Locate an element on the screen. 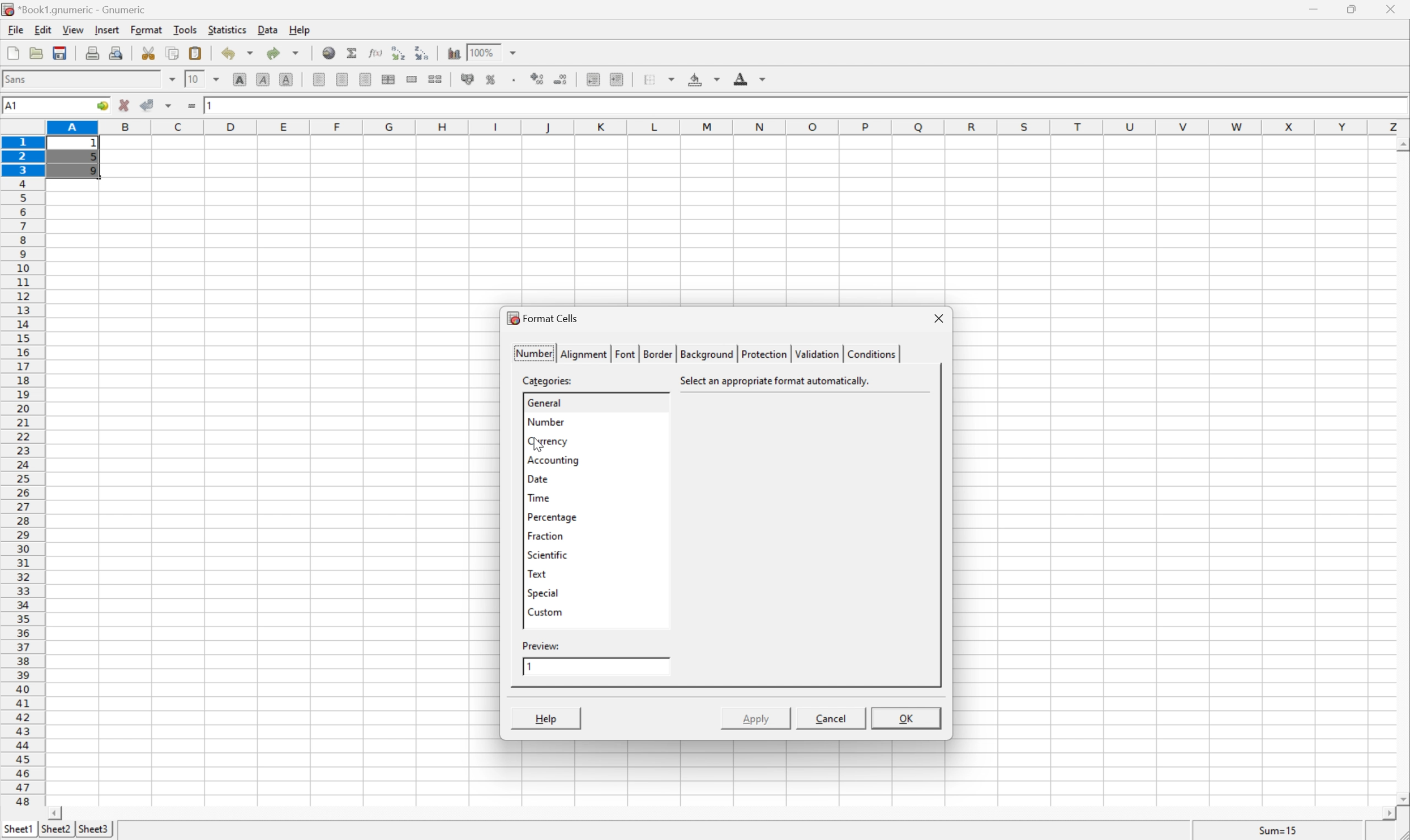 The image size is (1410, 840). categories is located at coordinates (549, 380).